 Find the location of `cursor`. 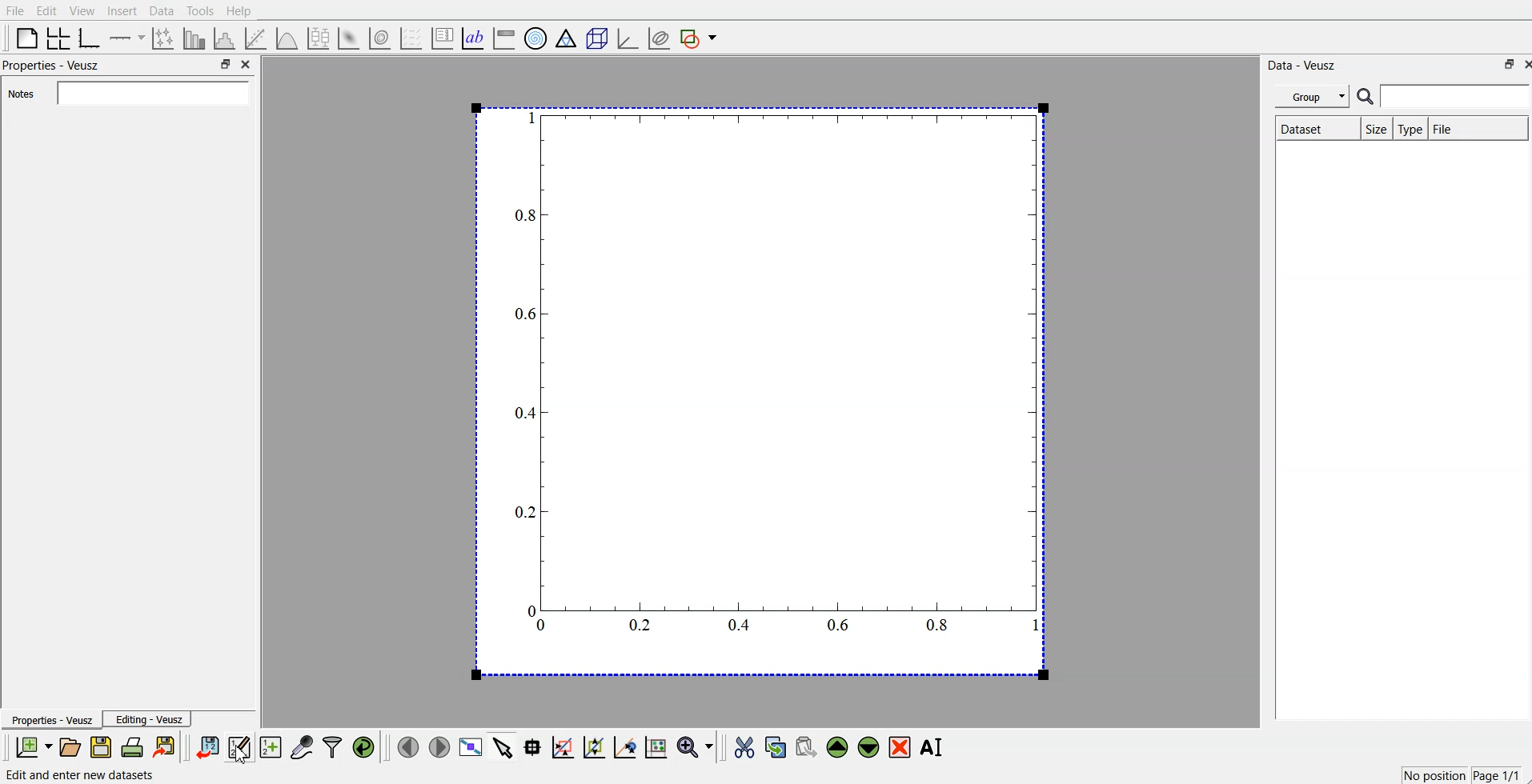

cursor is located at coordinates (243, 753).